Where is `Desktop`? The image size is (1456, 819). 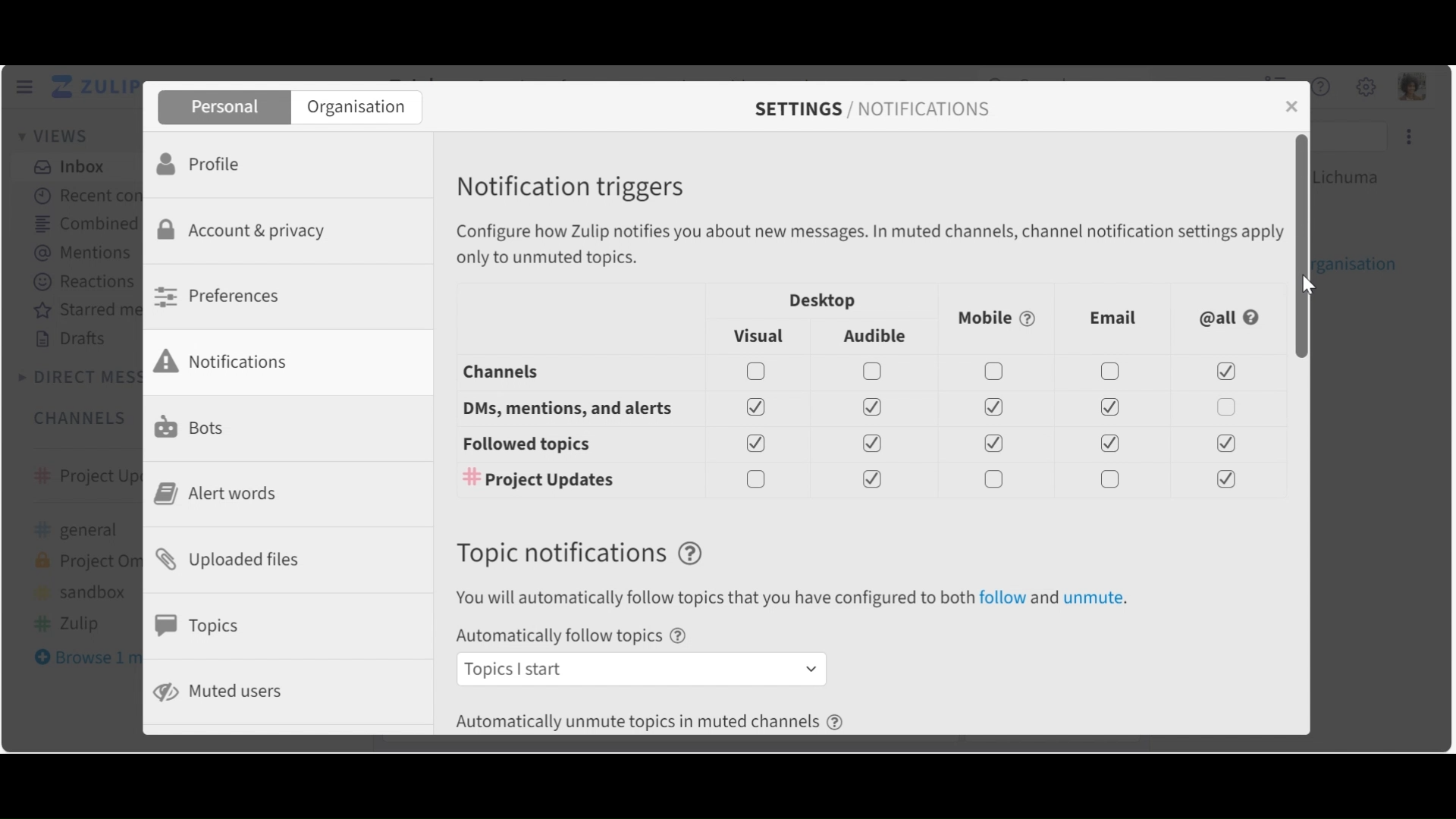
Desktop is located at coordinates (818, 302).